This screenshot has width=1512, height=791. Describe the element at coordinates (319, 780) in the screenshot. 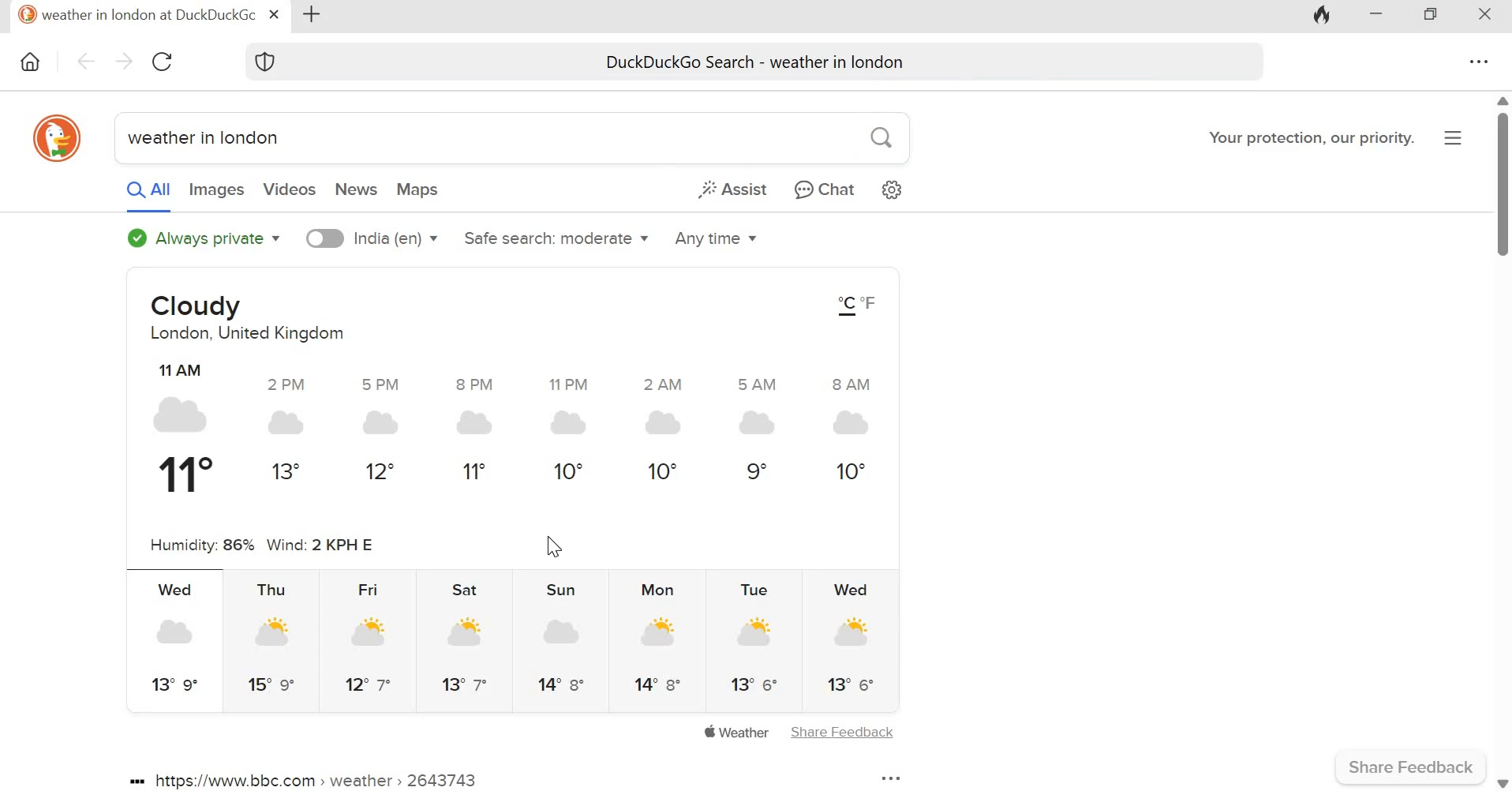

I see `https://www.bbc.com > weather » 2643743` at that location.